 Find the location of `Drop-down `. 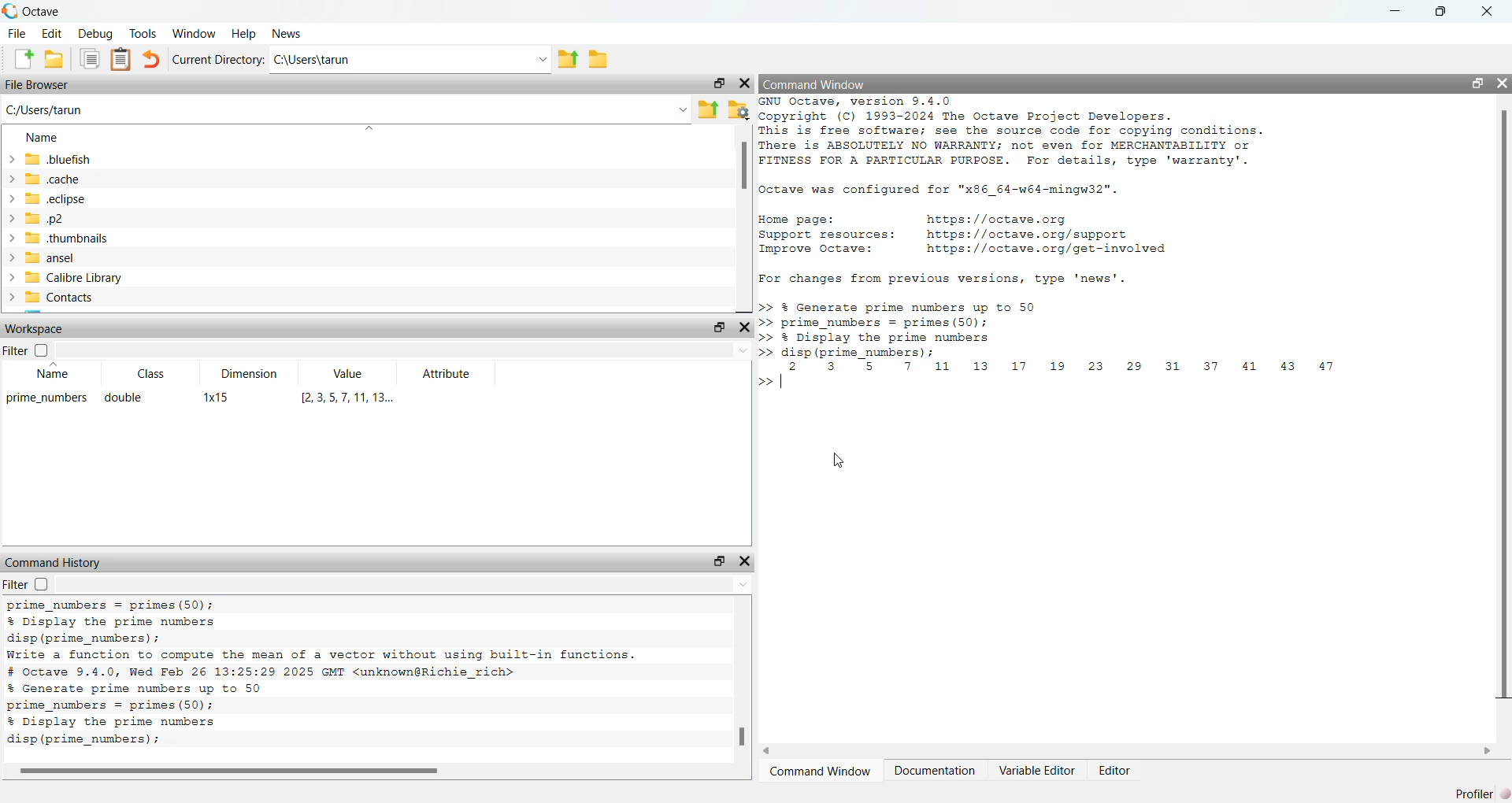

Drop-down  is located at coordinates (744, 352).